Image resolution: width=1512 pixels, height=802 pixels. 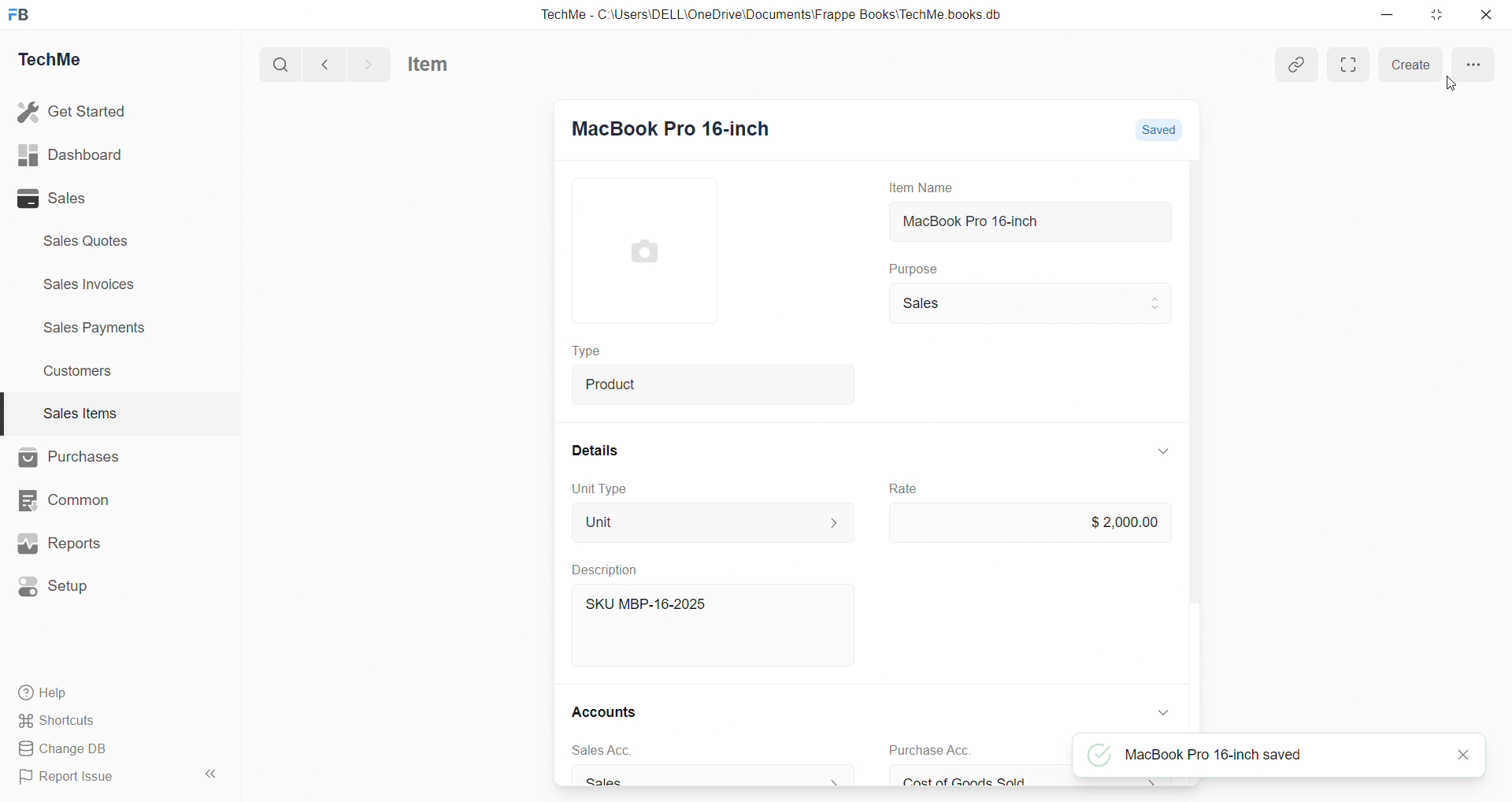 I want to click on search, so click(x=280, y=64).